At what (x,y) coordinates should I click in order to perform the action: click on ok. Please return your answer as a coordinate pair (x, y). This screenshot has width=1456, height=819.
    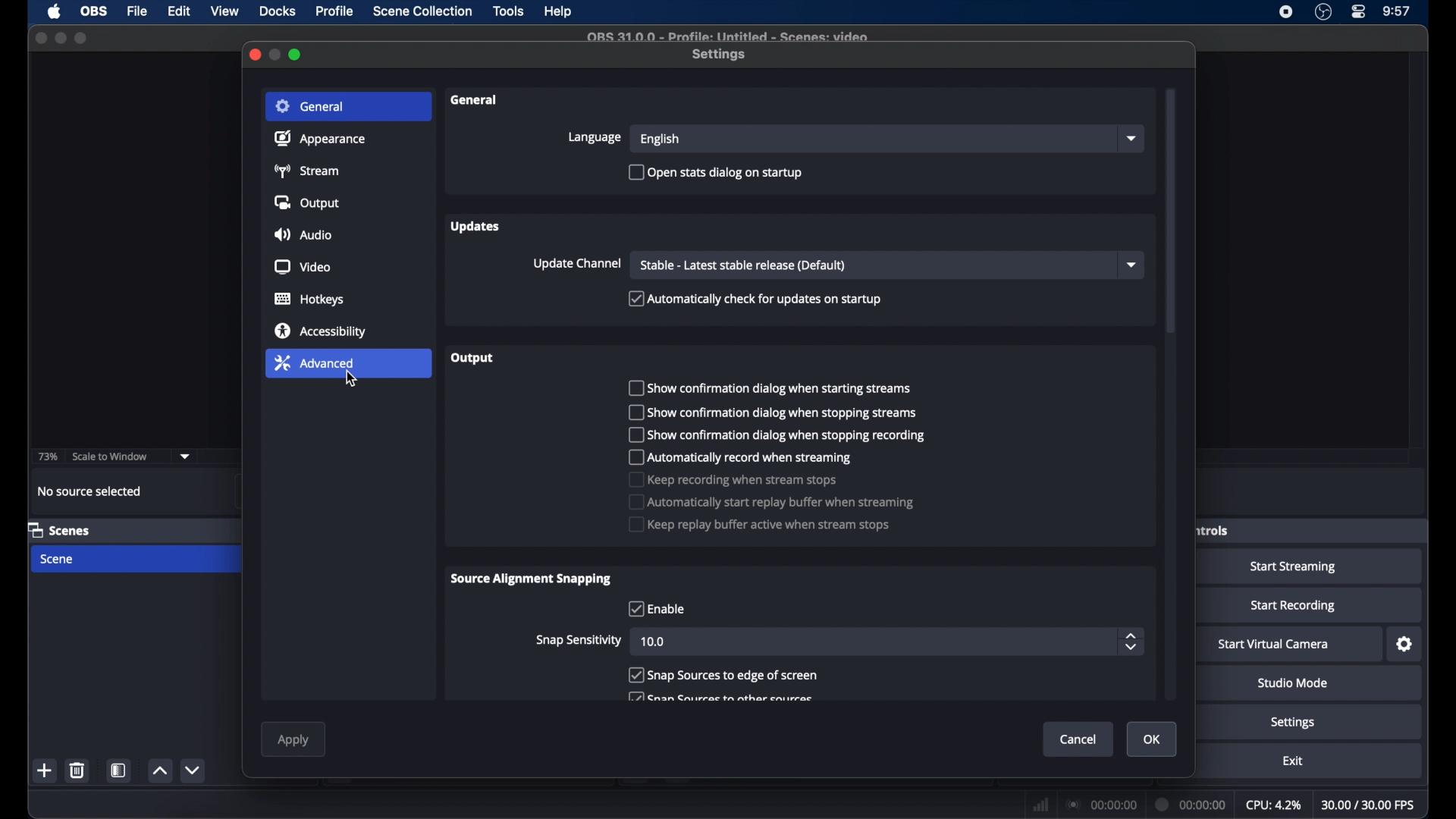
    Looking at the image, I should click on (1153, 740).